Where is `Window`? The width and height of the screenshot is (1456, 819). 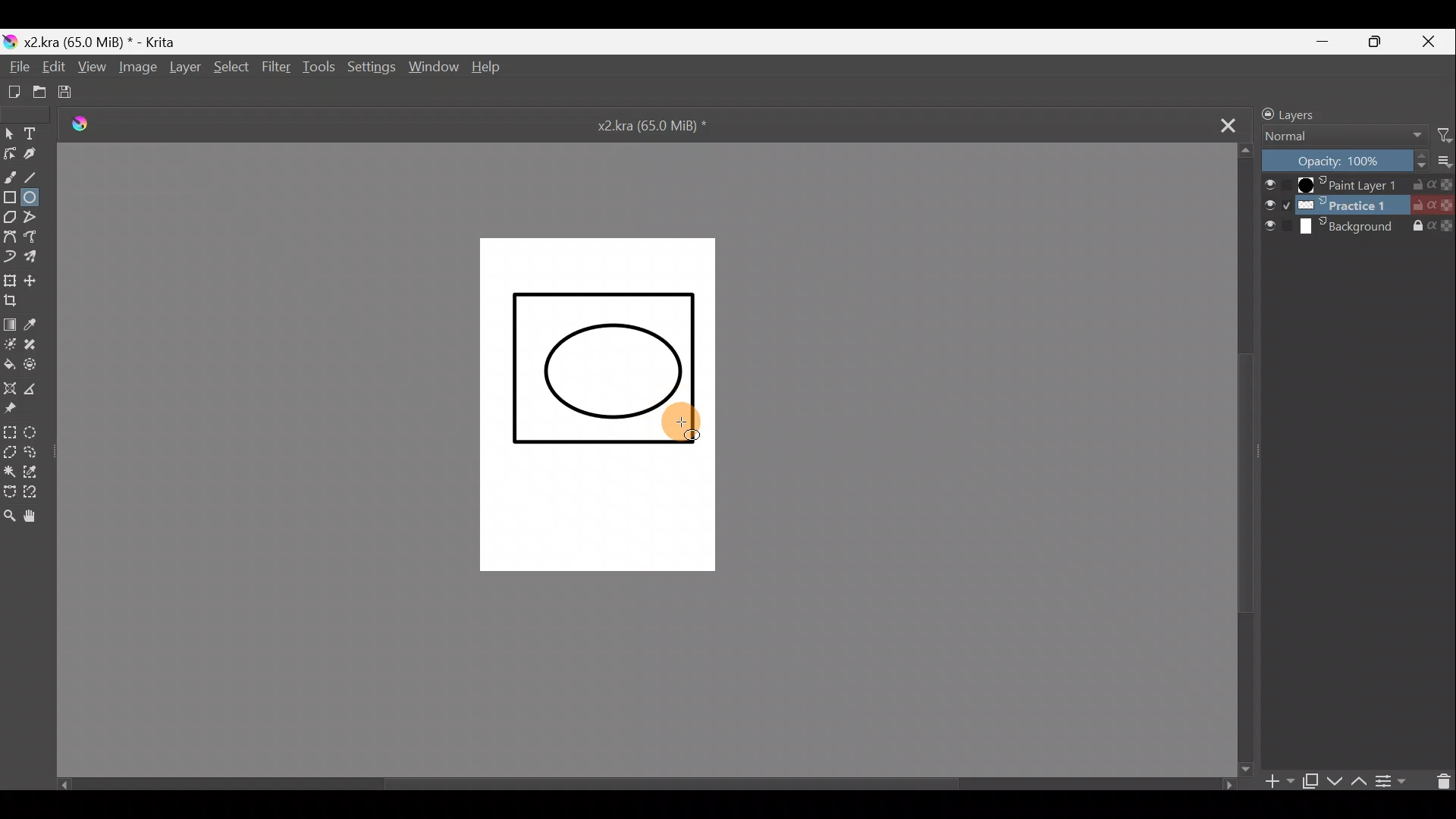
Window is located at coordinates (437, 68).